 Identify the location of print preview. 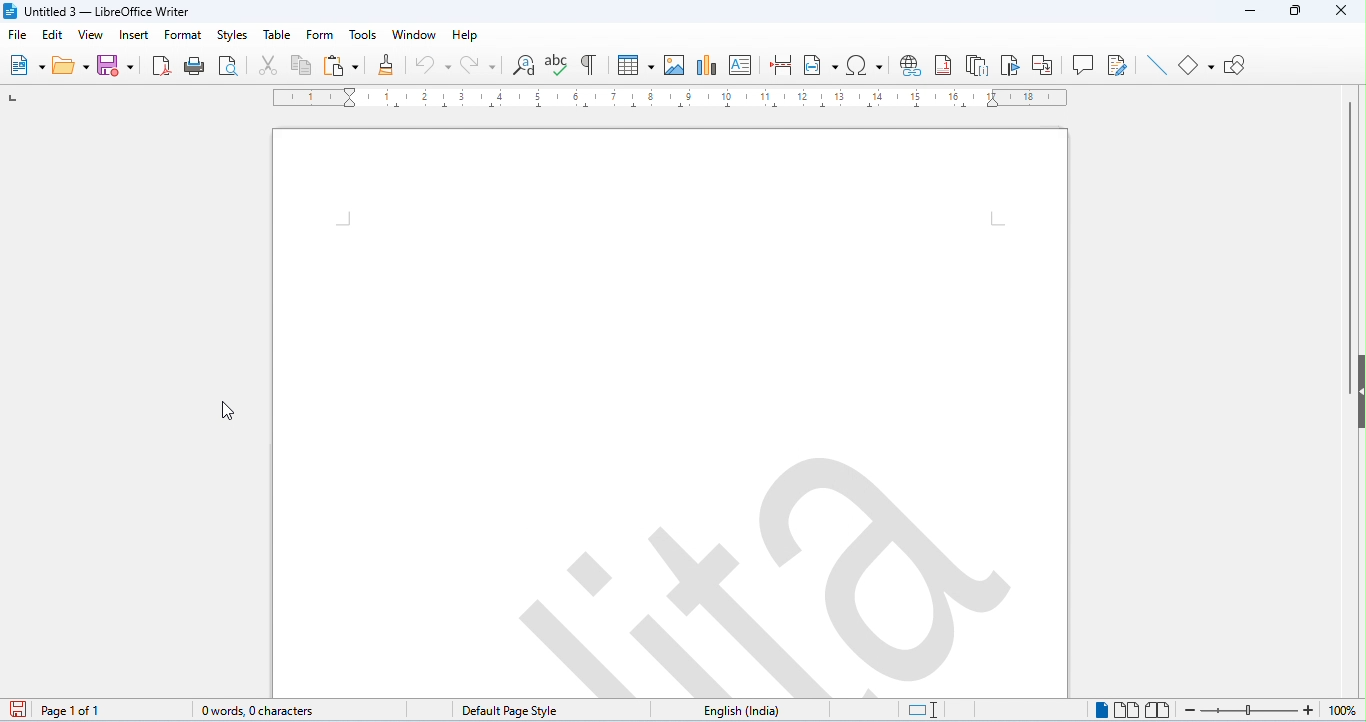
(229, 66).